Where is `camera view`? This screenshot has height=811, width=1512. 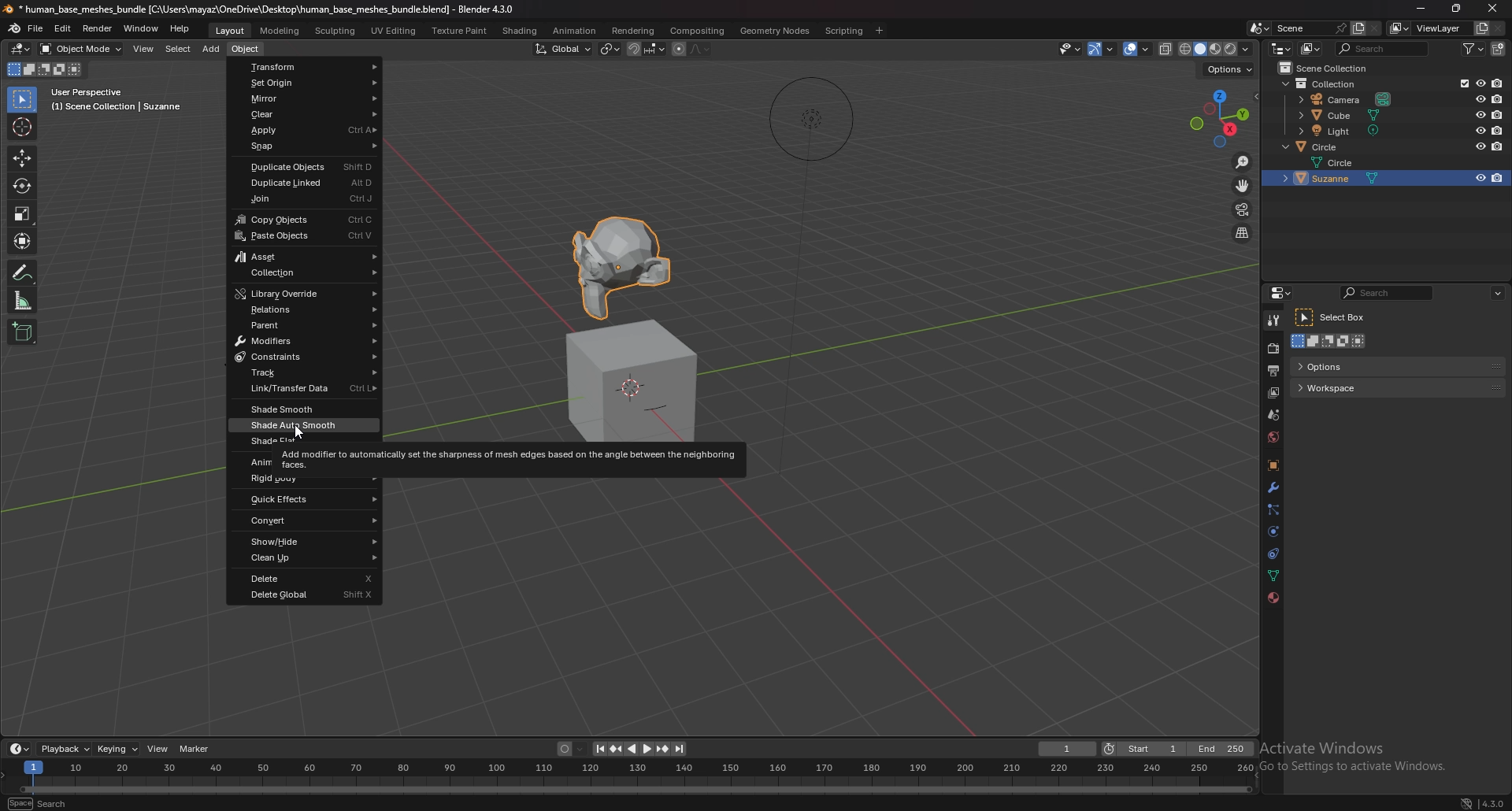 camera view is located at coordinates (1243, 209).